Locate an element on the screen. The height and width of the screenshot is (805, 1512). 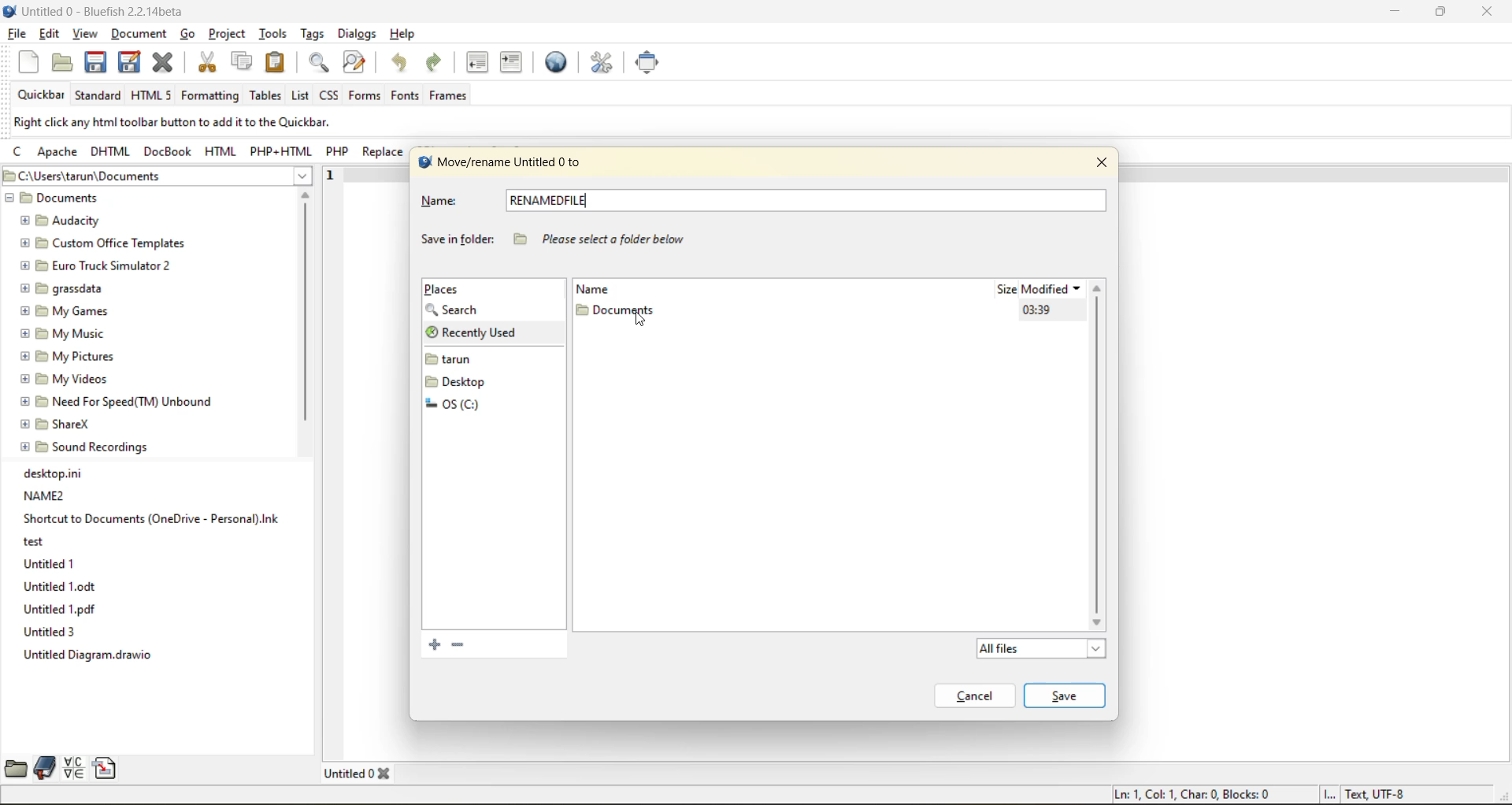
close is located at coordinates (1490, 11).